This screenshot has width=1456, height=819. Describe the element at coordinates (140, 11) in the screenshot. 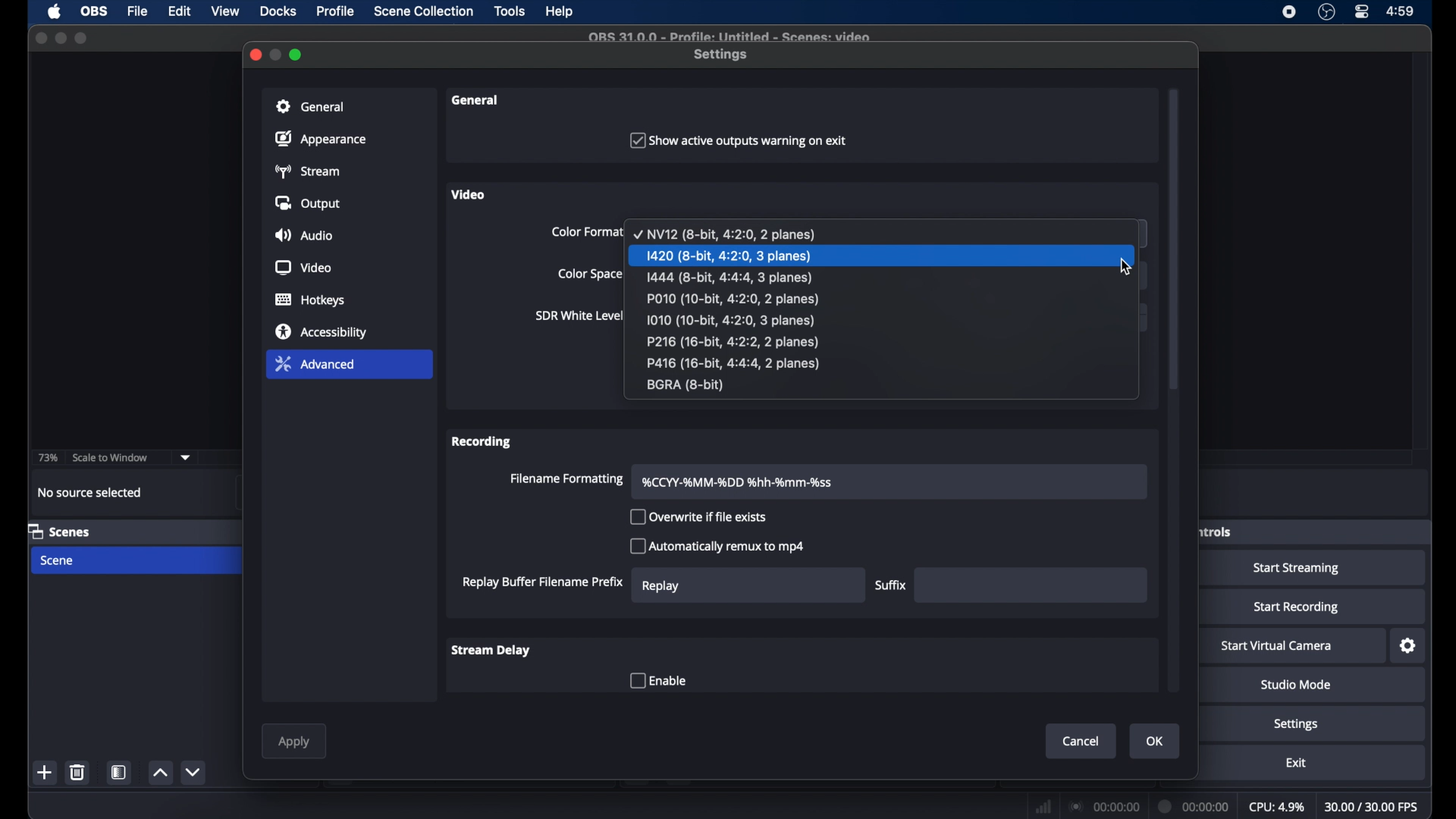

I see `file` at that location.